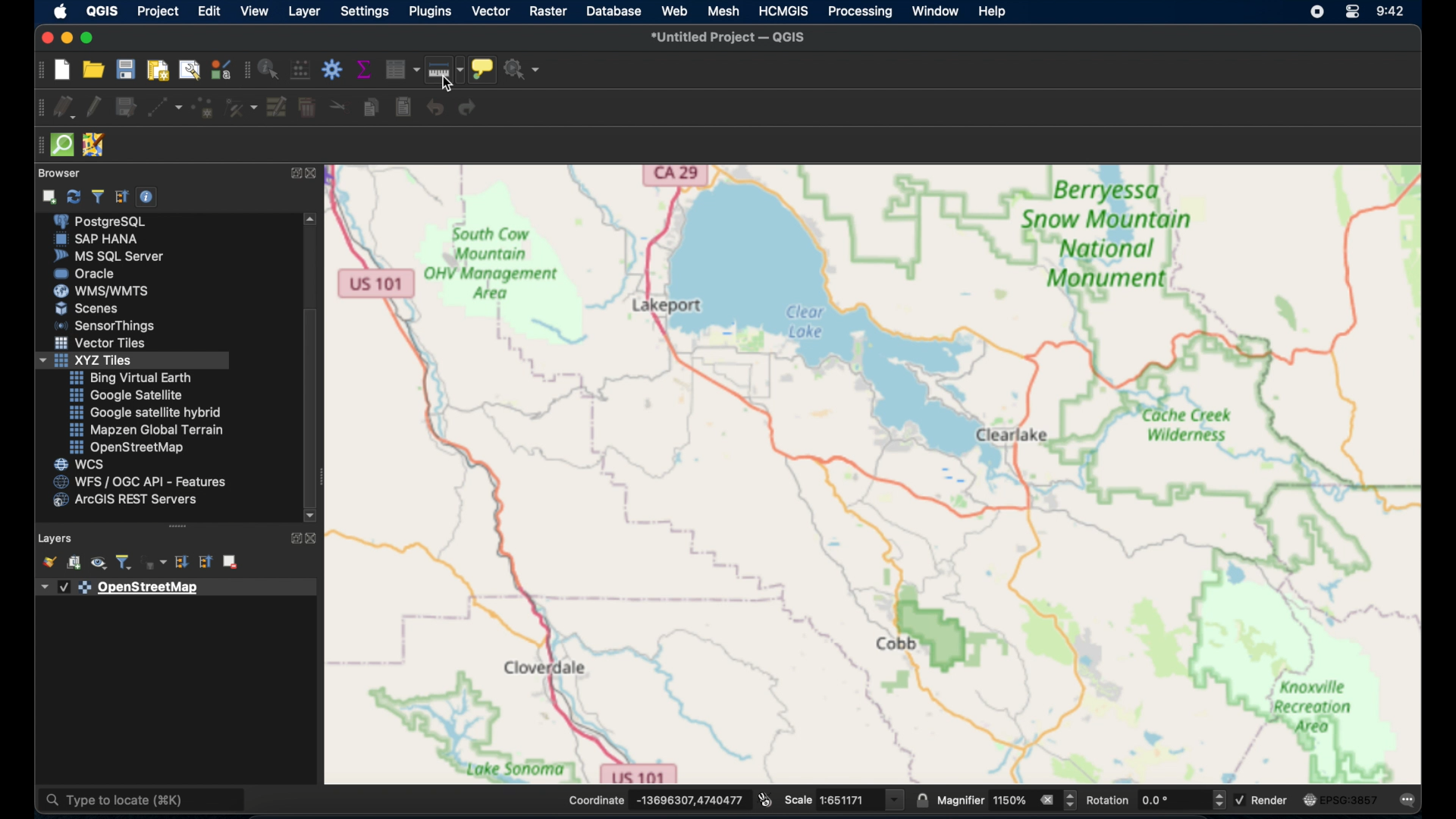 The height and width of the screenshot is (819, 1456). Describe the element at coordinates (616, 11) in the screenshot. I see `database` at that location.